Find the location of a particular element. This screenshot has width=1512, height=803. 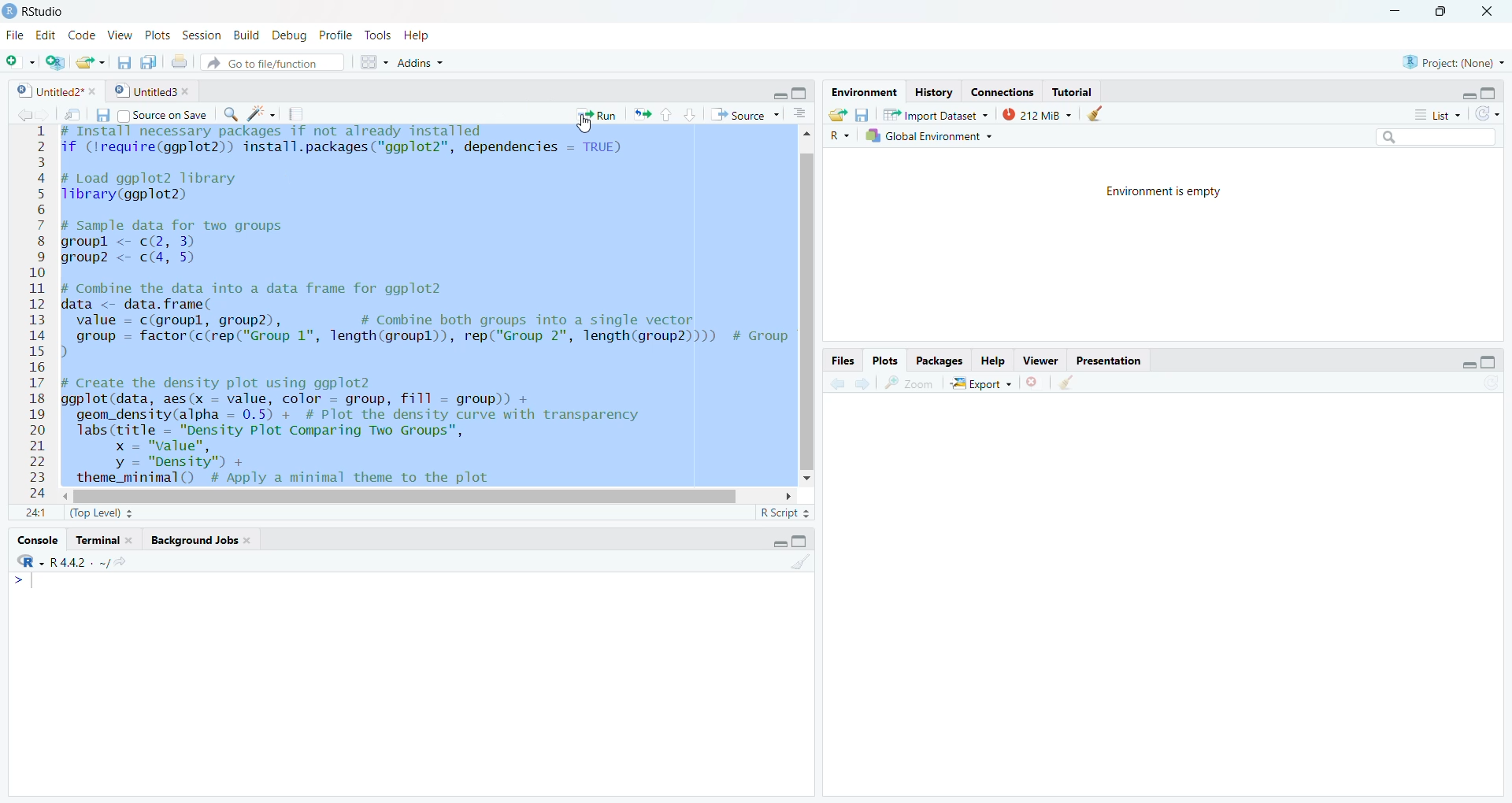

next is located at coordinates (864, 383).